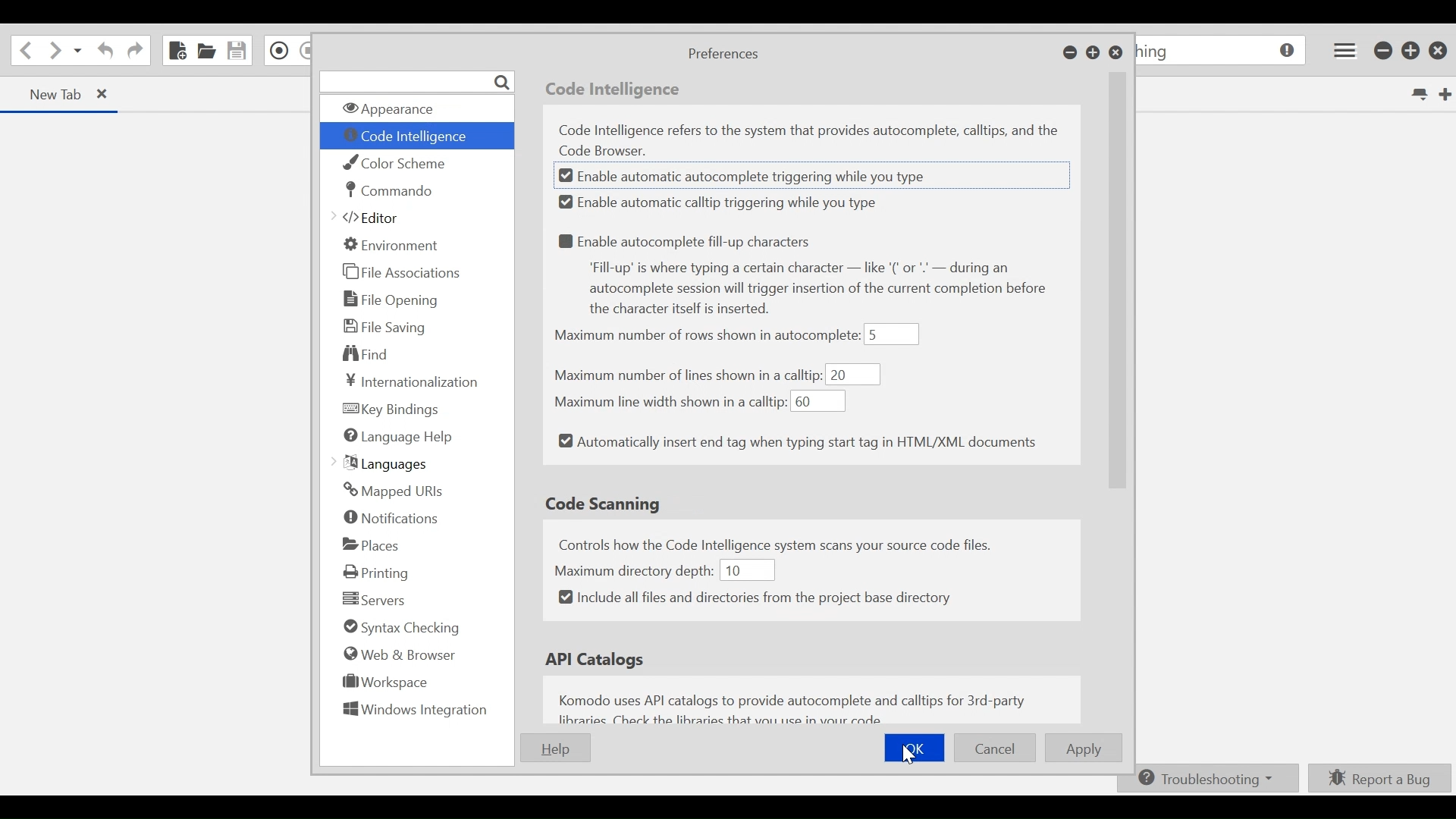 Image resolution: width=1456 pixels, height=819 pixels. I want to click on Code Scanning, so click(606, 504).